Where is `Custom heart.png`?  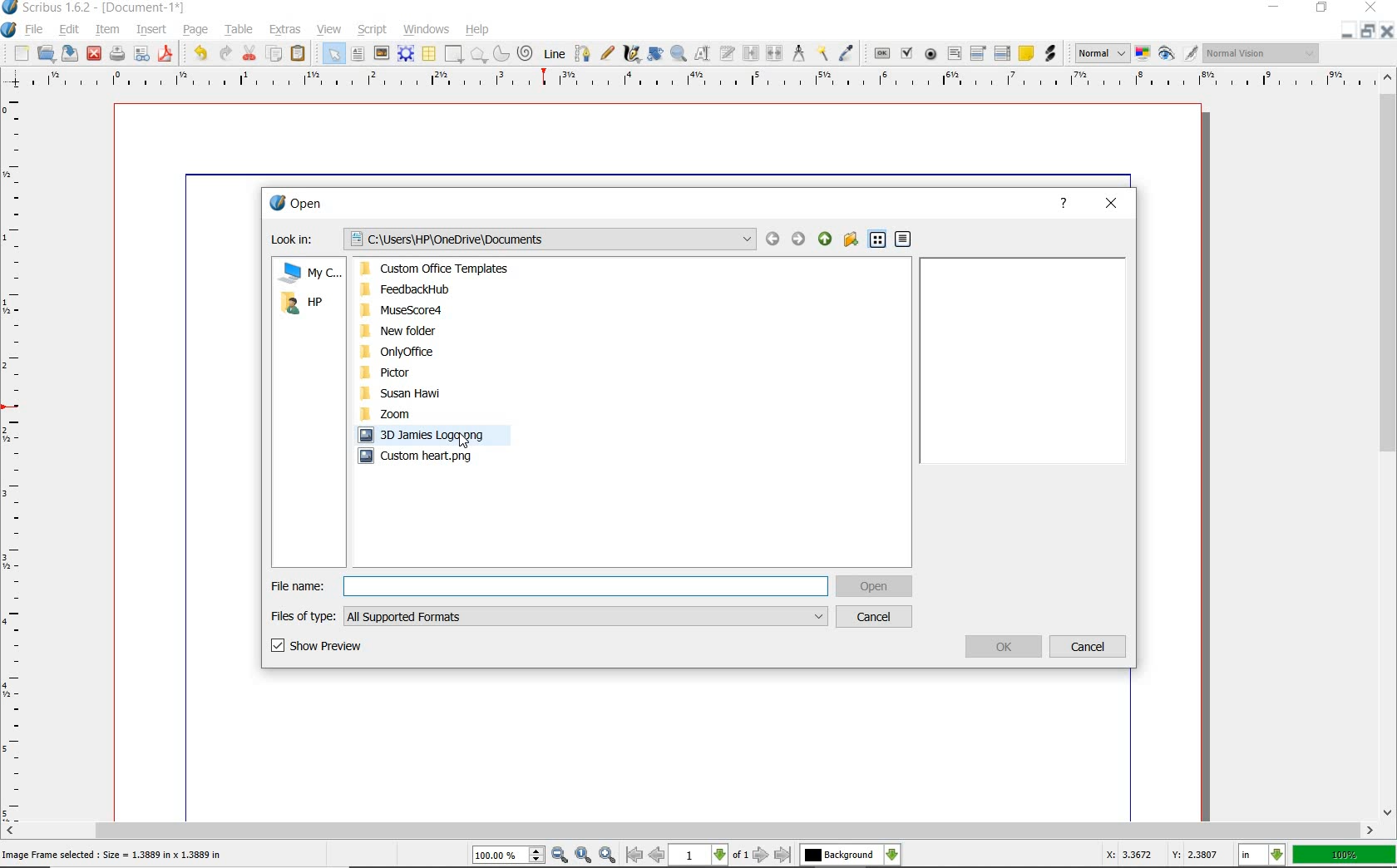
Custom heart.png is located at coordinates (447, 456).